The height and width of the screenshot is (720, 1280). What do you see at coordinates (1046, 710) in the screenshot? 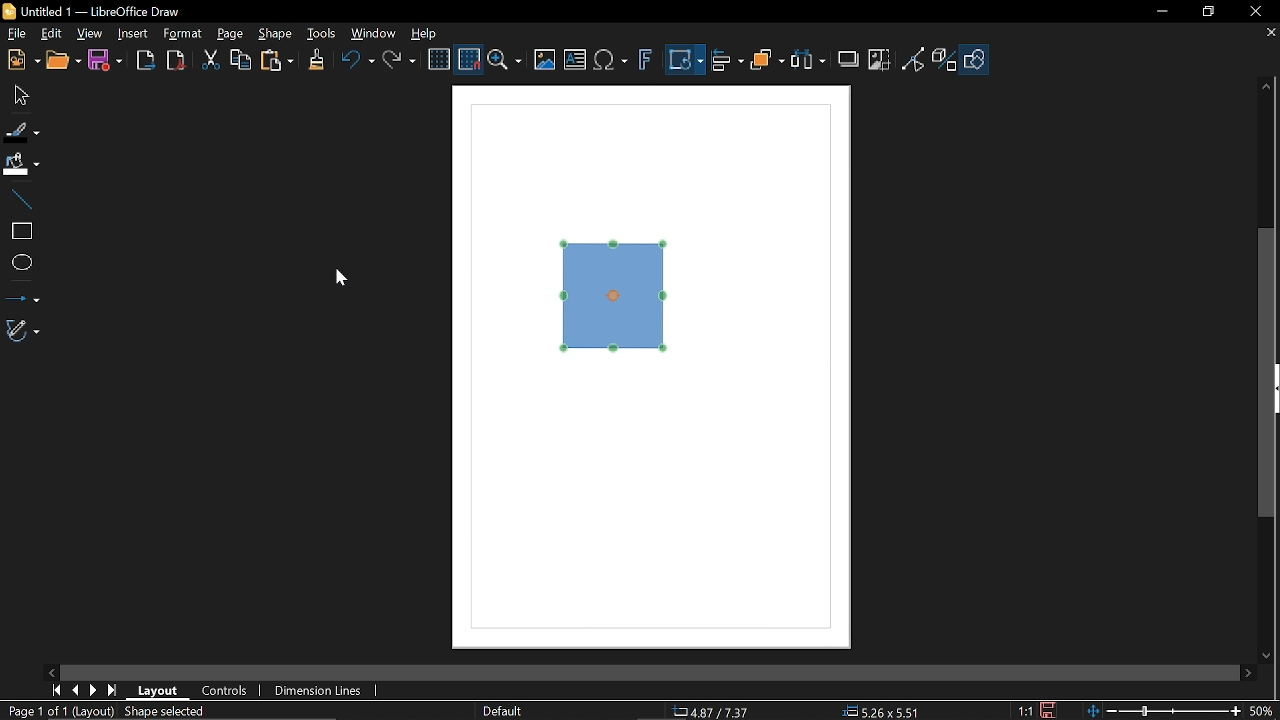
I see `Save` at bounding box center [1046, 710].